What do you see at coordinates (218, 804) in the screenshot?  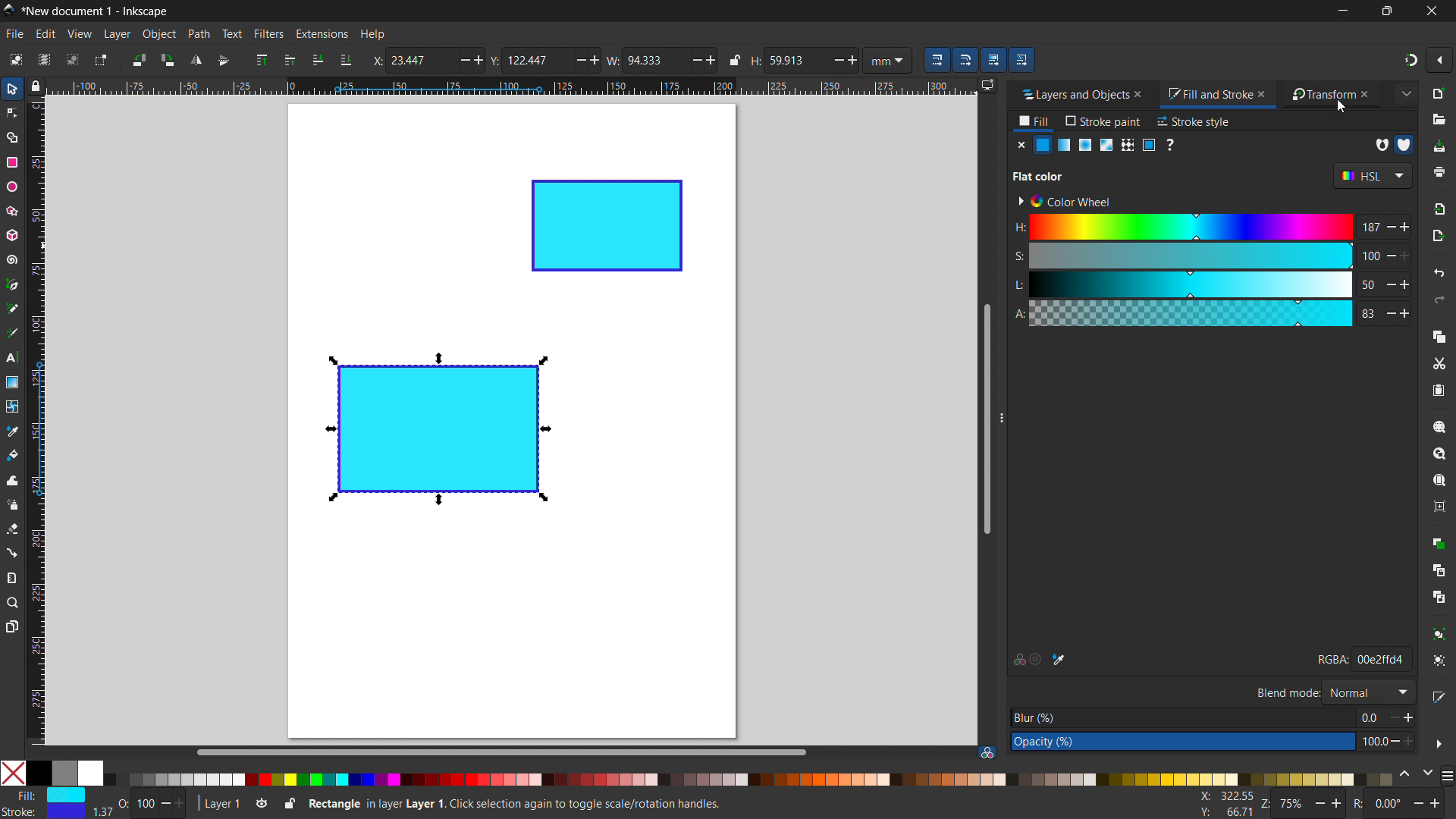 I see `current layer` at bounding box center [218, 804].